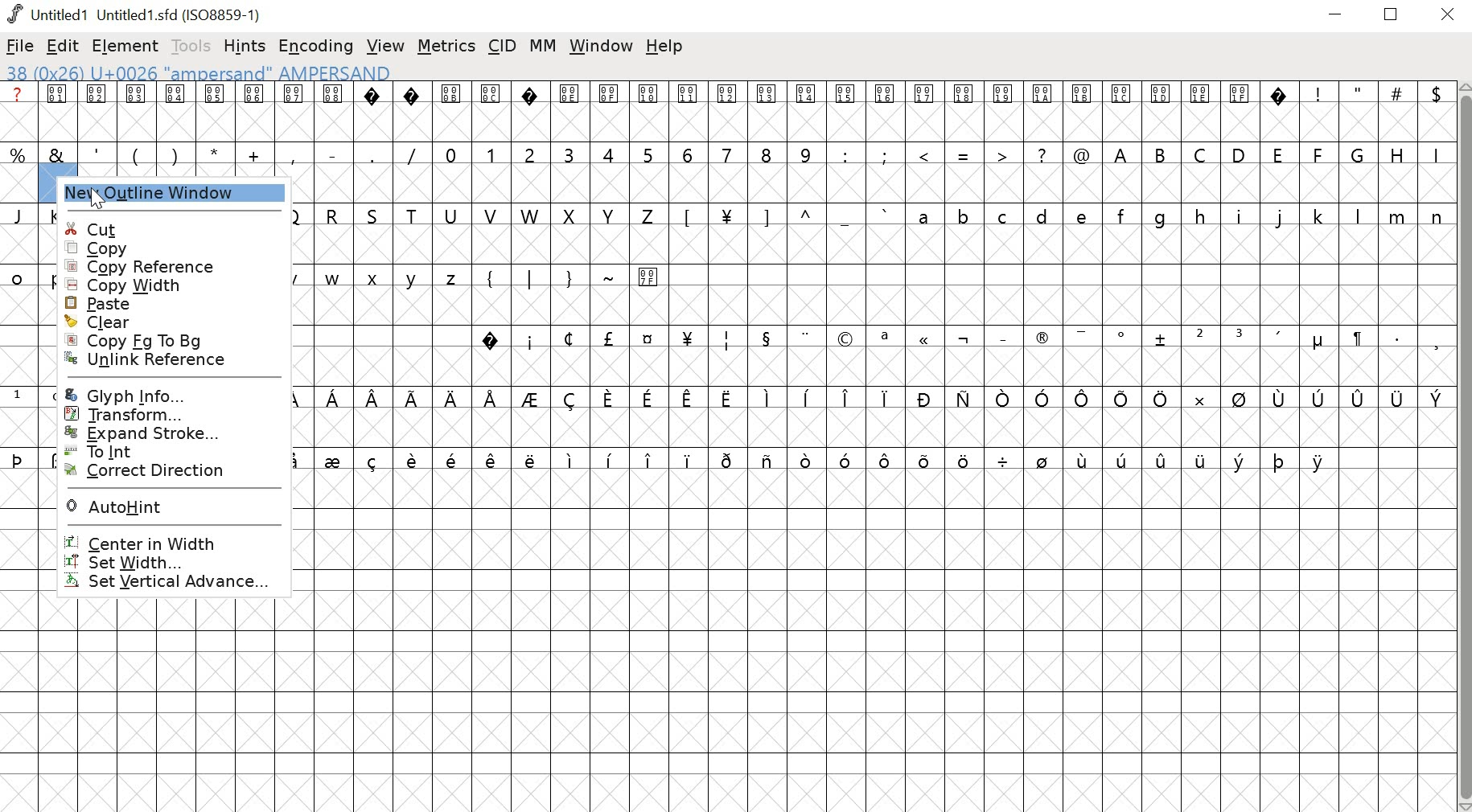 This screenshot has height=812, width=1472. I want to click on symbol, so click(1436, 397).